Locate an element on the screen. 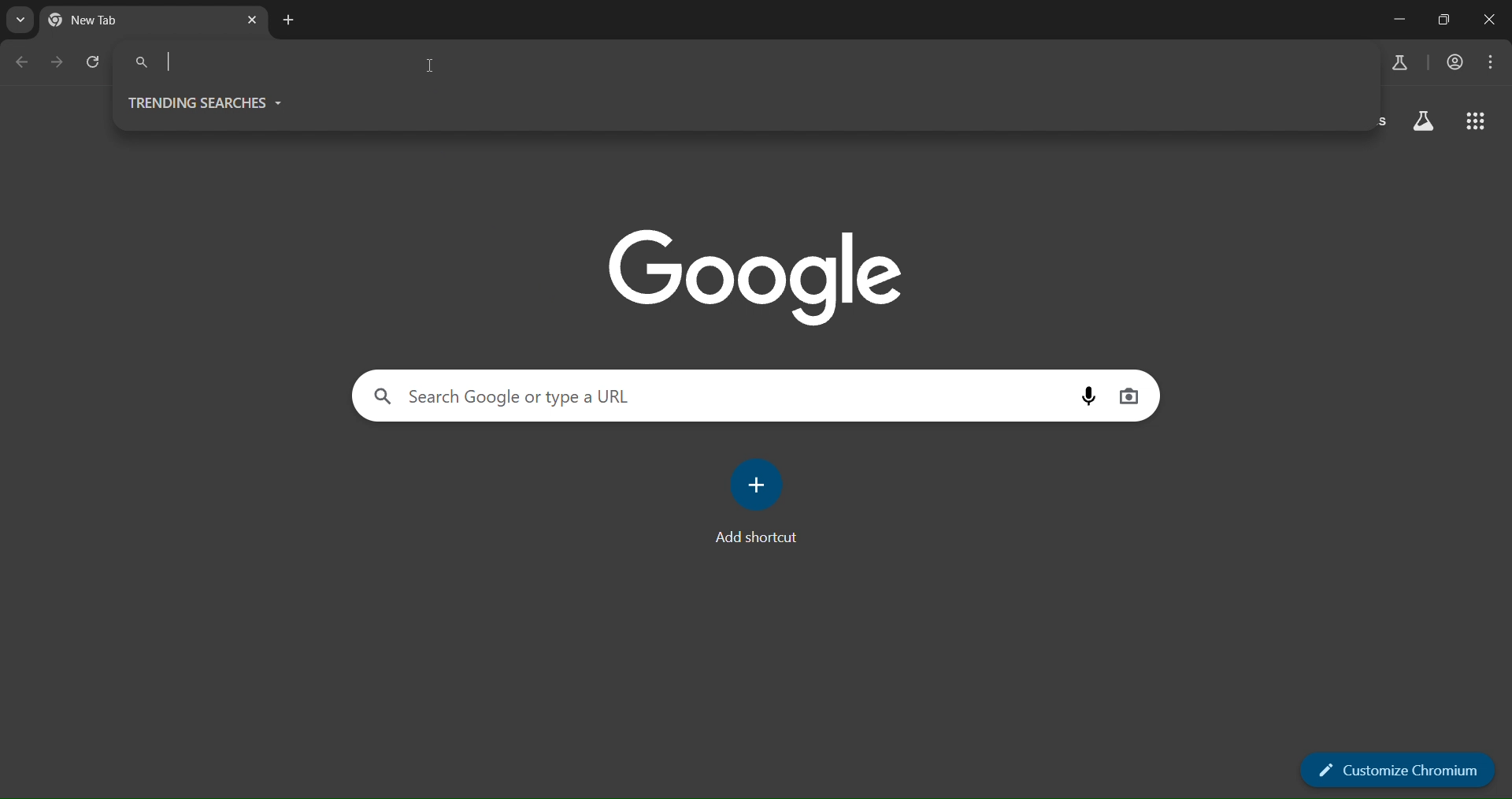  restore down is located at coordinates (1447, 19).